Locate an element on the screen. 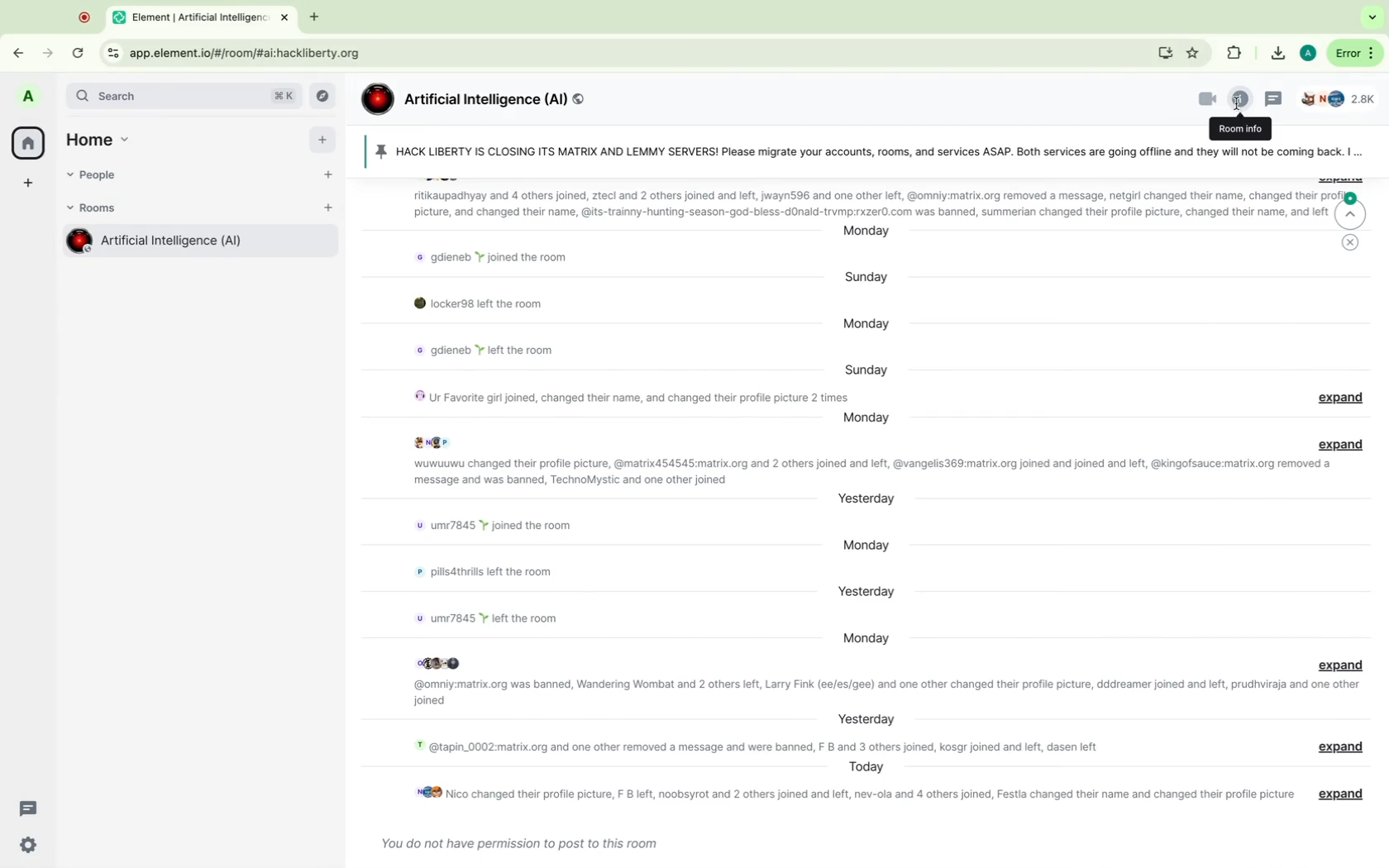 The width and height of the screenshot is (1389, 868). day is located at coordinates (864, 544).